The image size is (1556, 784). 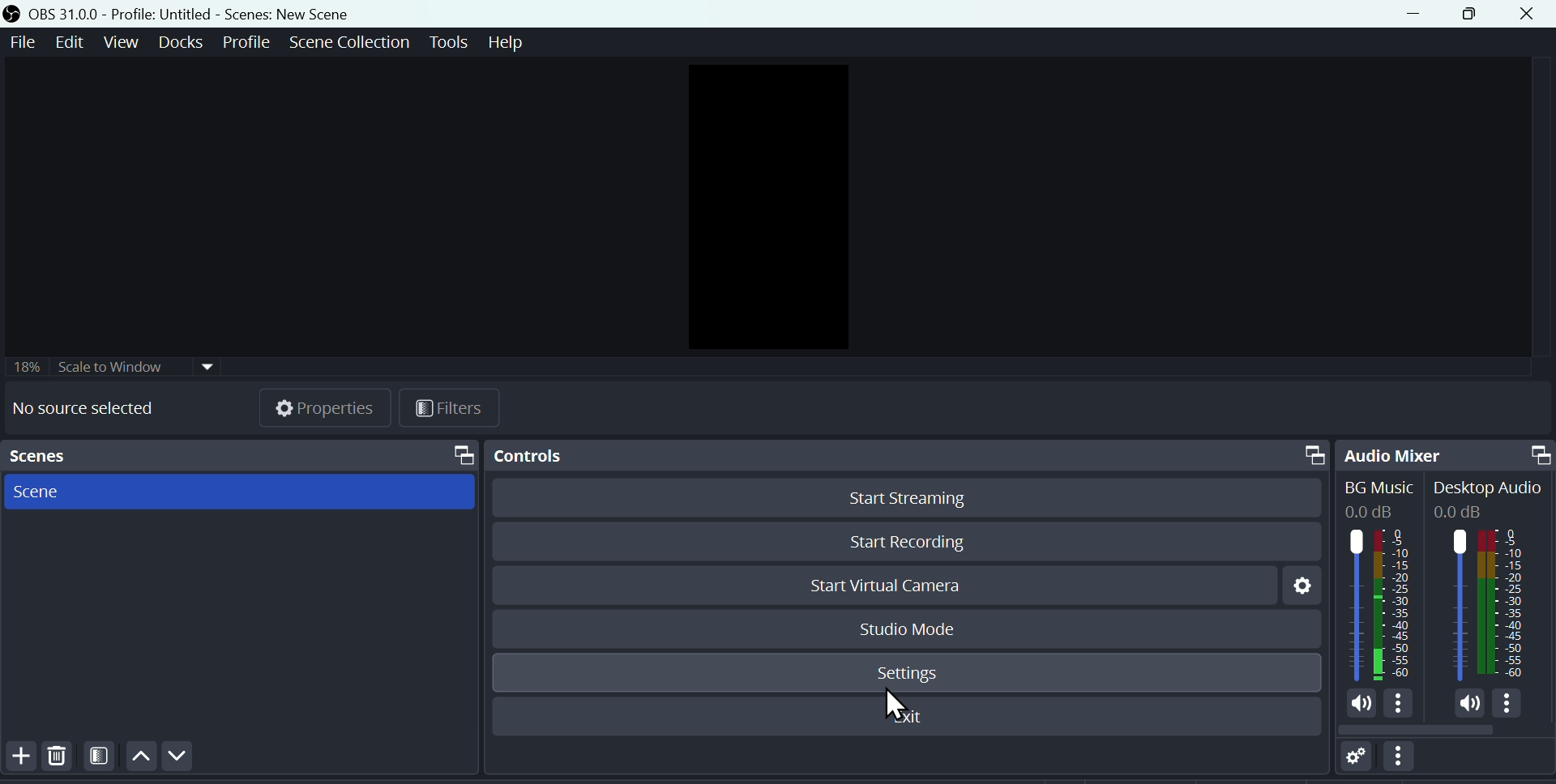 I want to click on Edit, so click(x=69, y=44).